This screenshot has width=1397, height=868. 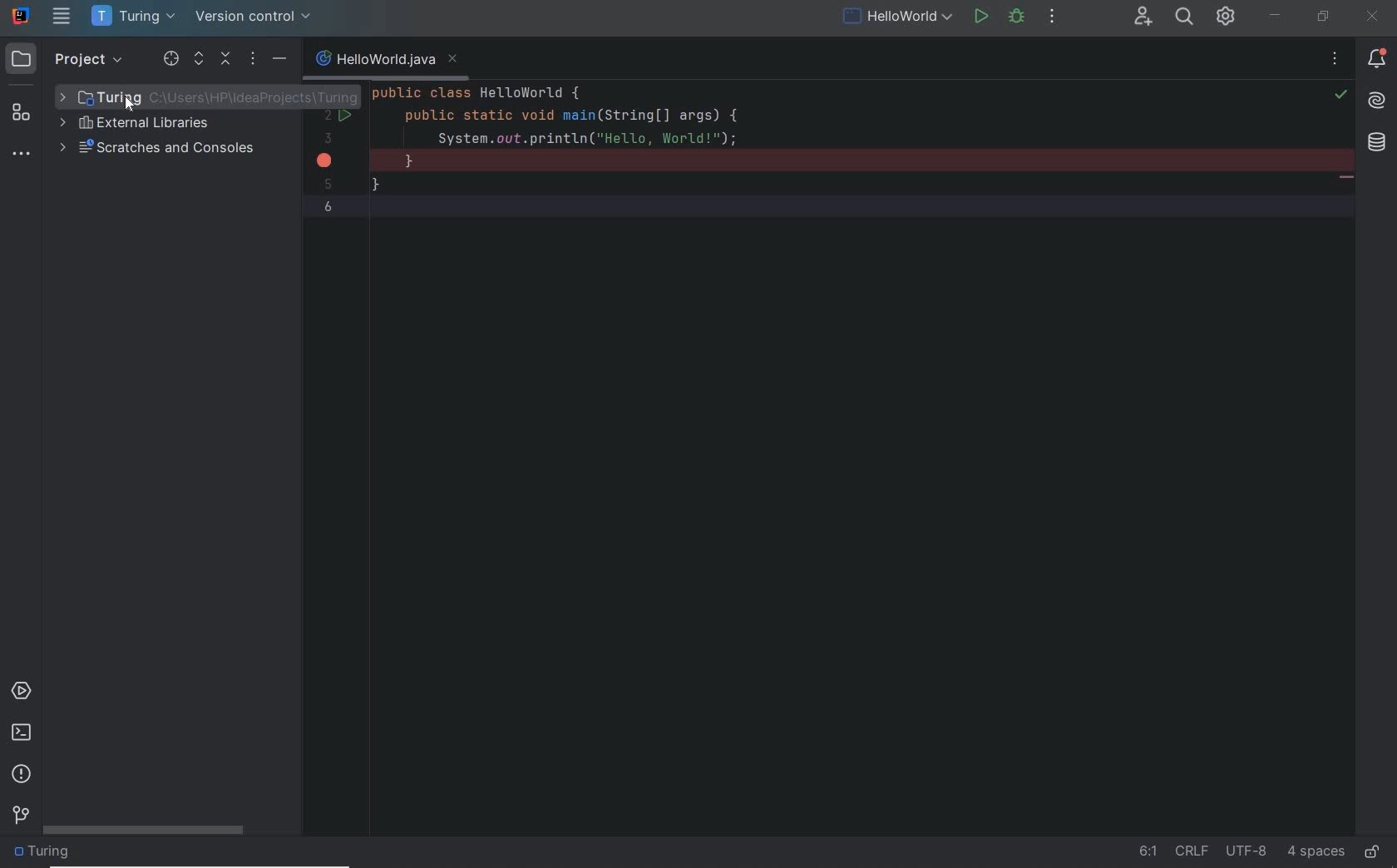 What do you see at coordinates (1053, 18) in the screenshot?
I see `more actions` at bounding box center [1053, 18].